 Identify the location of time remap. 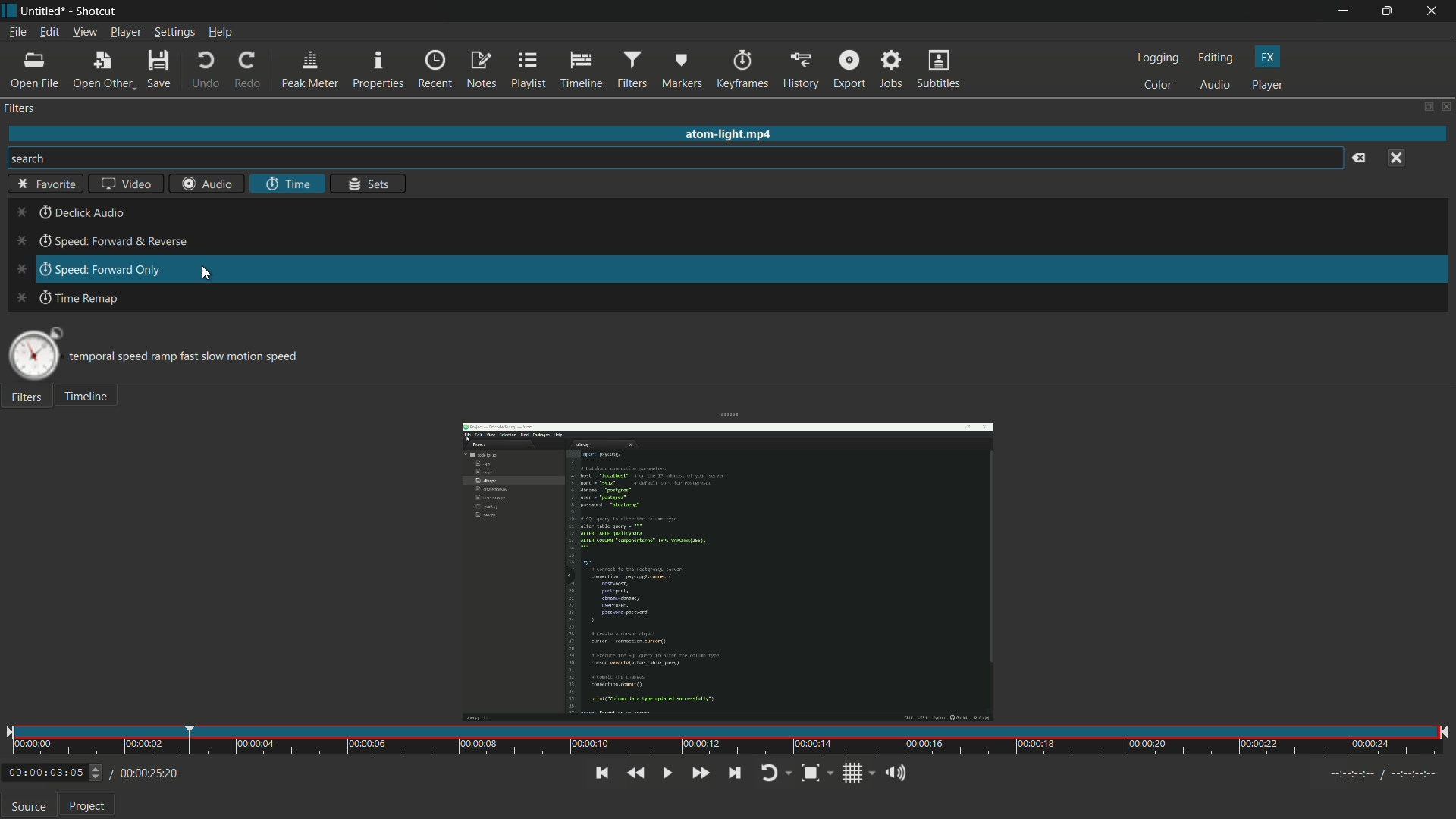
(65, 298).